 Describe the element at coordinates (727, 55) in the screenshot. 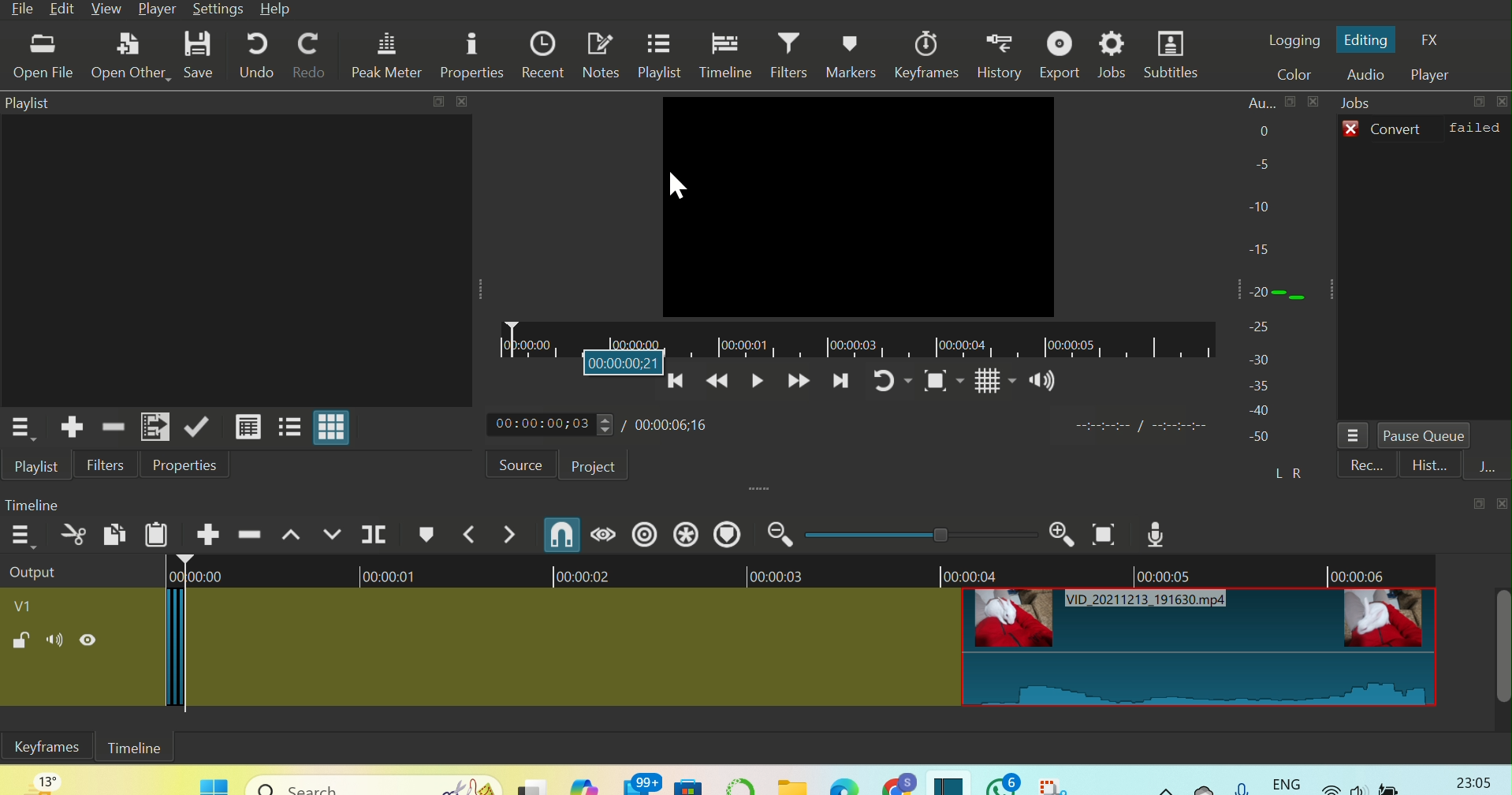

I see `Timeline` at that location.